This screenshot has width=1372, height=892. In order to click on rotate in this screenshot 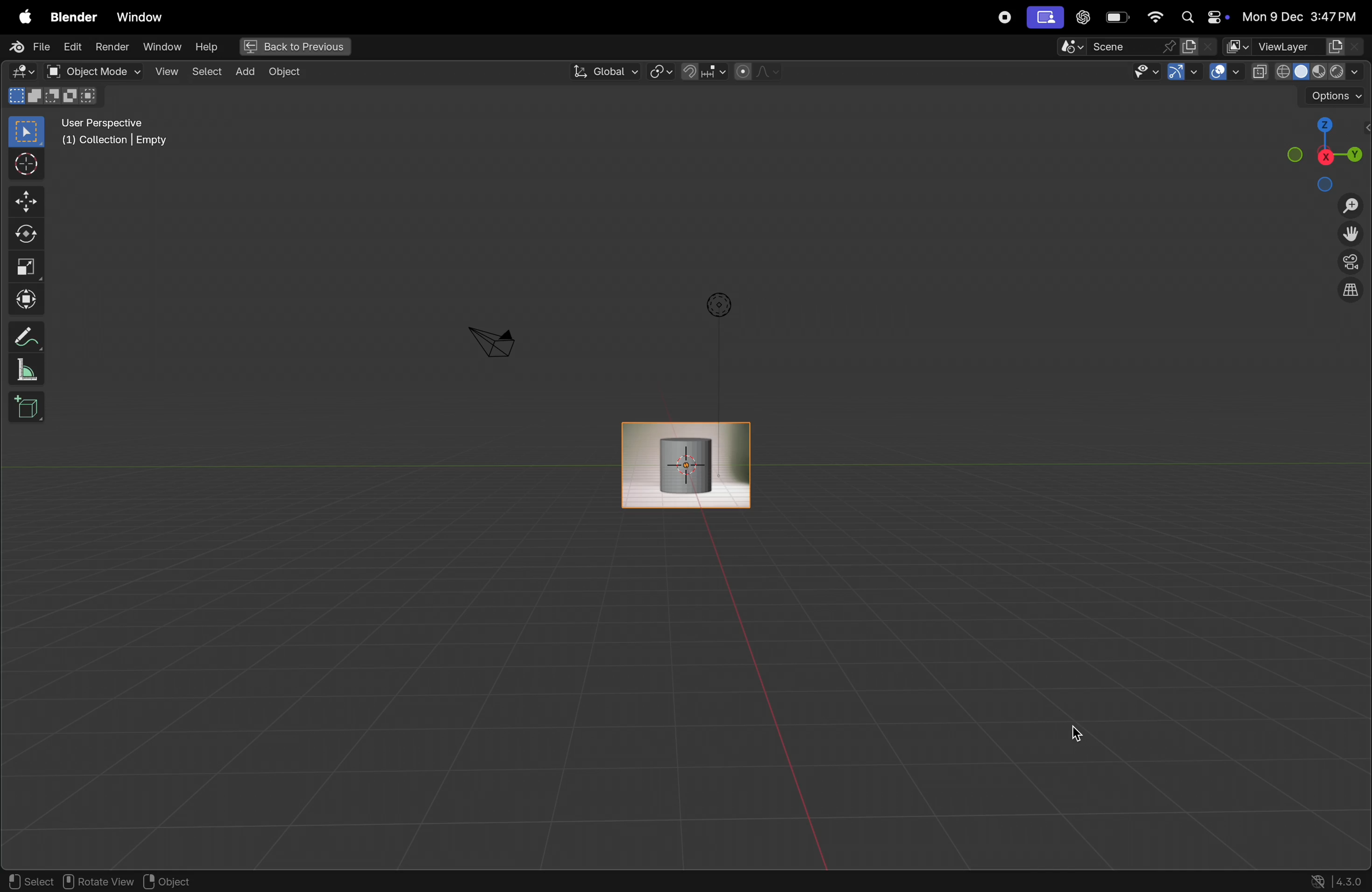, I will do `click(24, 232)`.